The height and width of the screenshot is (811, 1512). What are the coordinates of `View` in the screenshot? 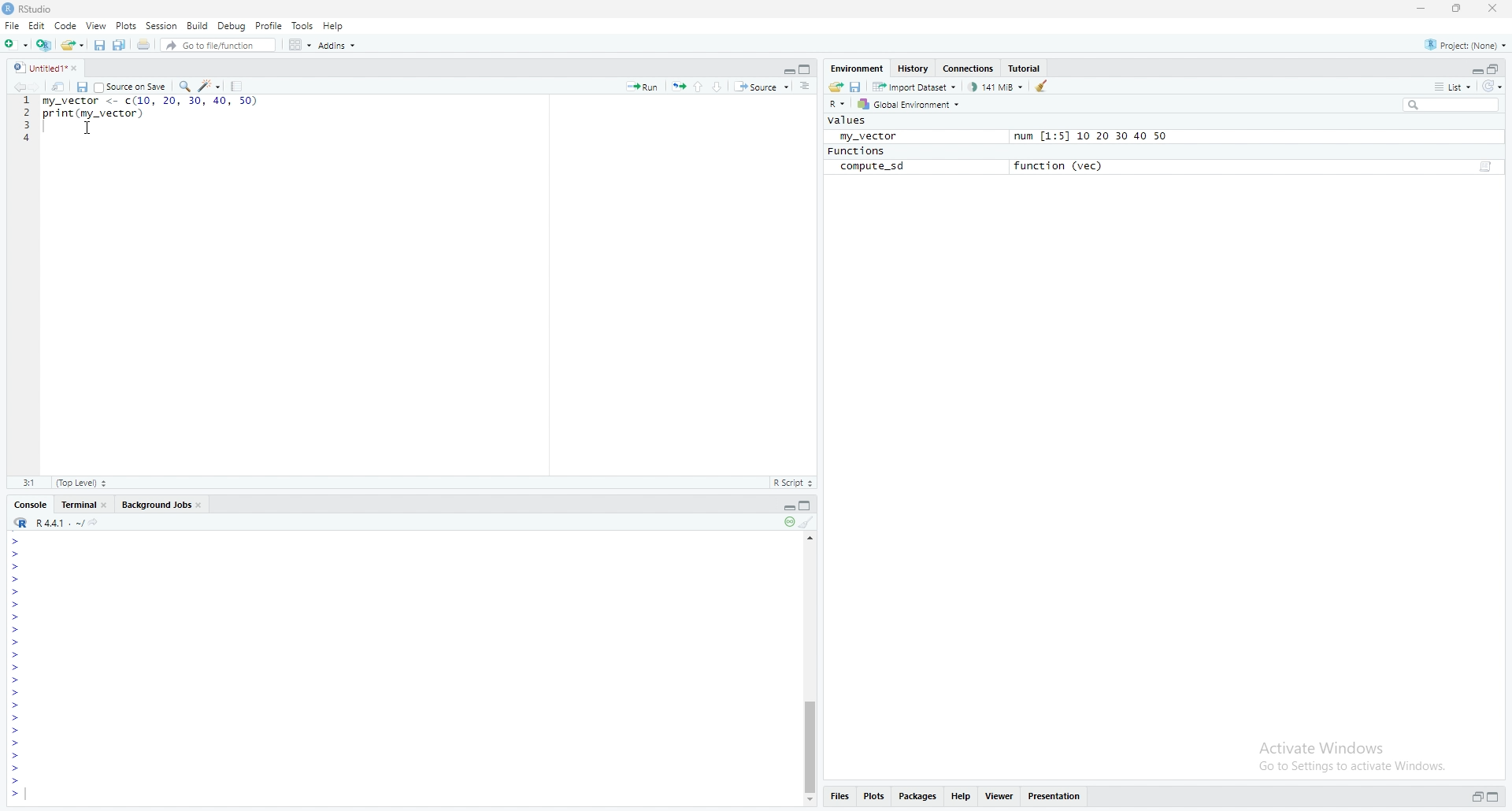 It's located at (97, 25).